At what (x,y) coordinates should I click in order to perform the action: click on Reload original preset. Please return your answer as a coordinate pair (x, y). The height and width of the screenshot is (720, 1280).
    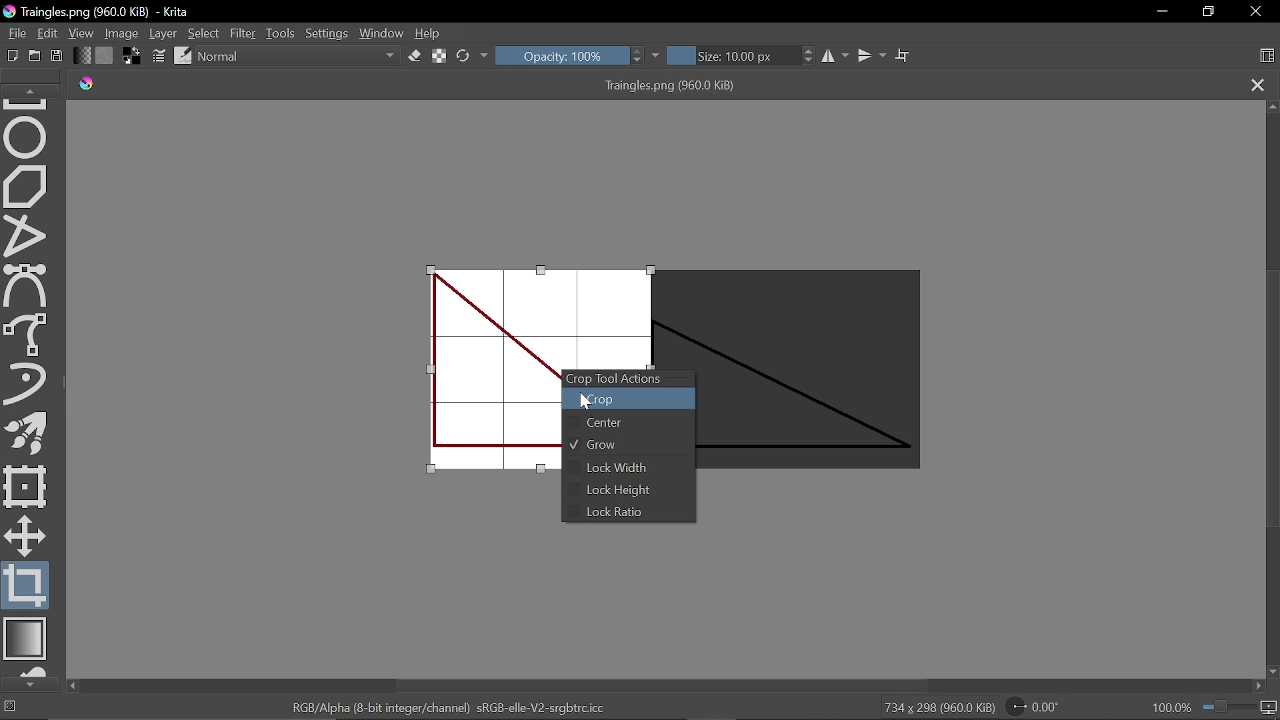
    Looking at the image, I should click on (464, 56).